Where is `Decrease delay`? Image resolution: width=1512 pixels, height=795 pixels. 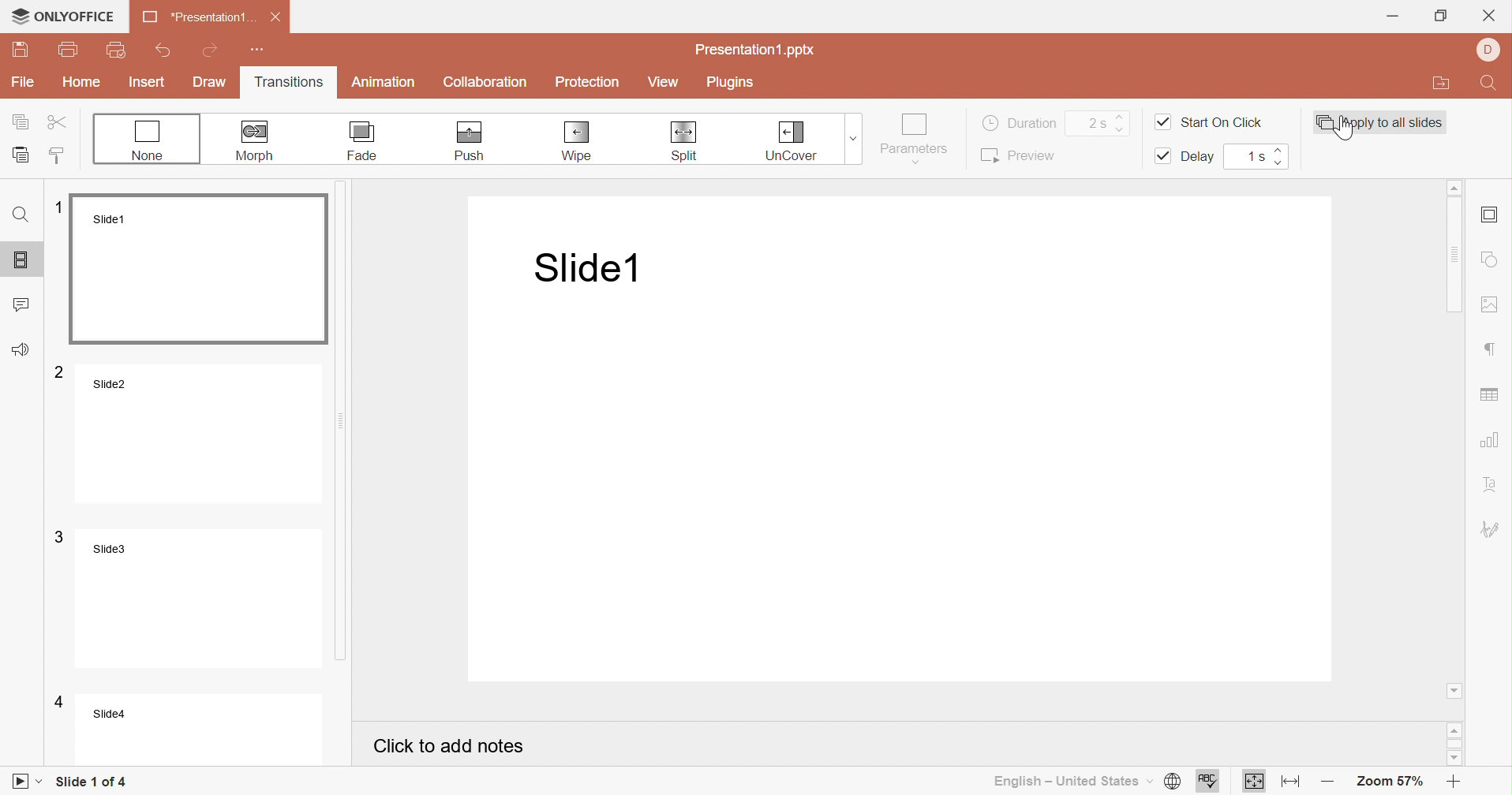 Decrease delay is located at coordinates (1283, 163).